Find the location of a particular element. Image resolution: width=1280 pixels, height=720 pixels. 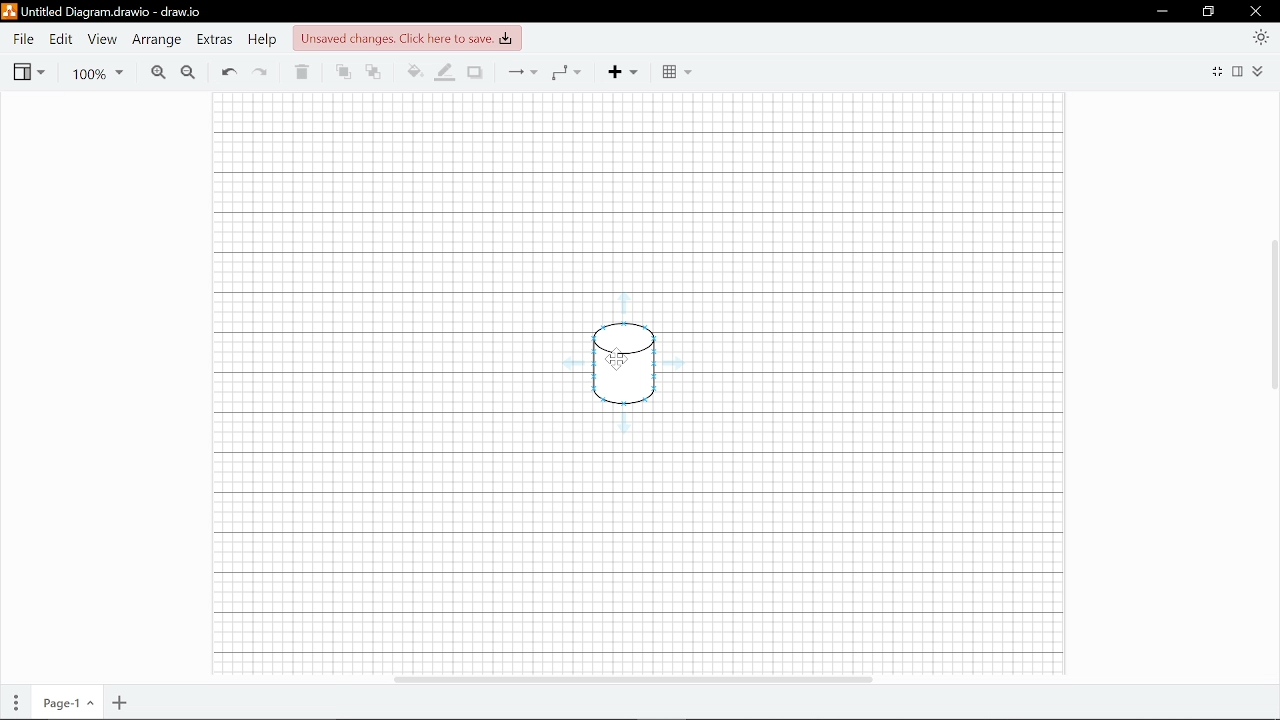

Current page is located at coordinates (67, 701).